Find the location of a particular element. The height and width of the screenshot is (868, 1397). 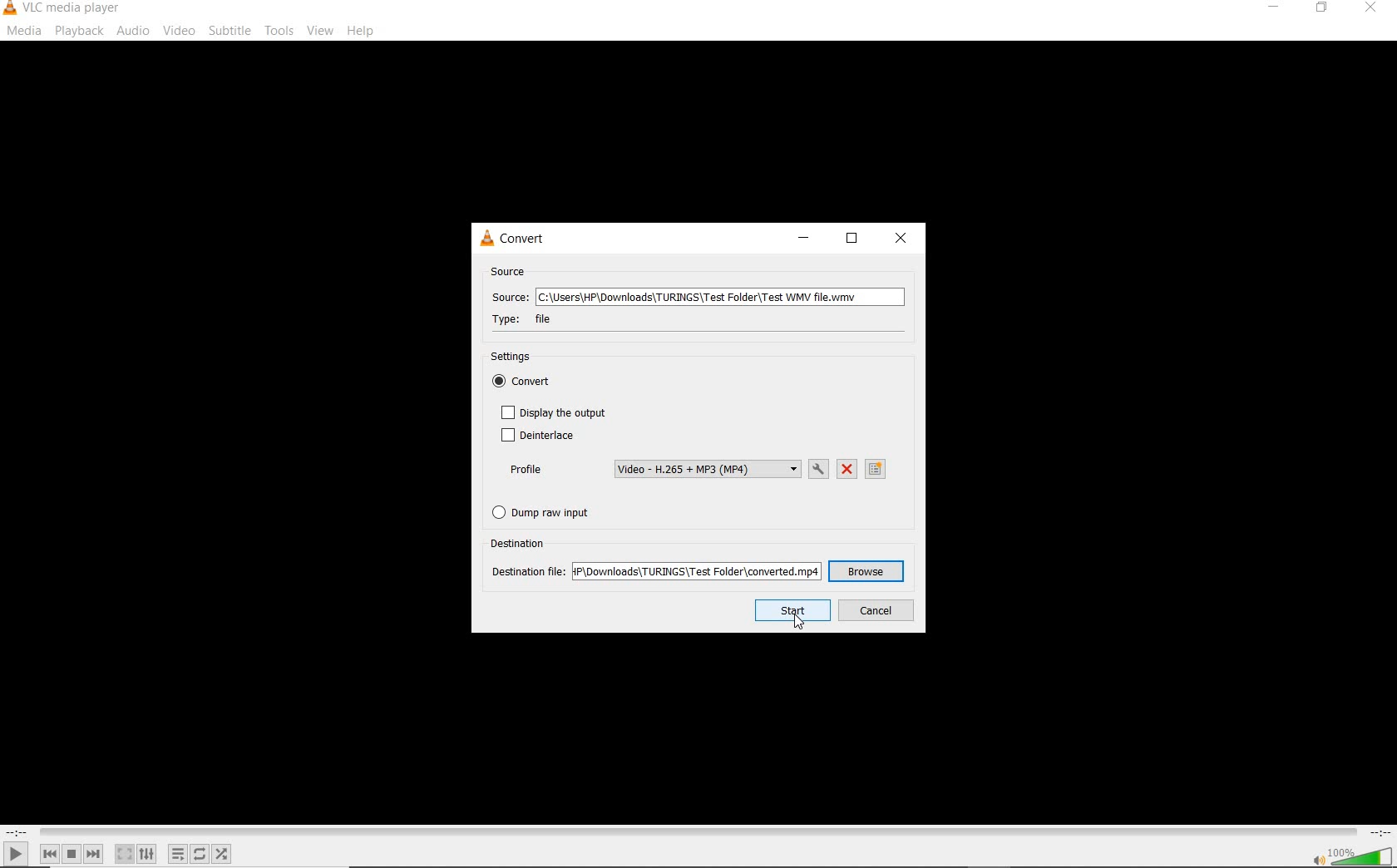

video - MP4 is located at coordinates (707, 469).